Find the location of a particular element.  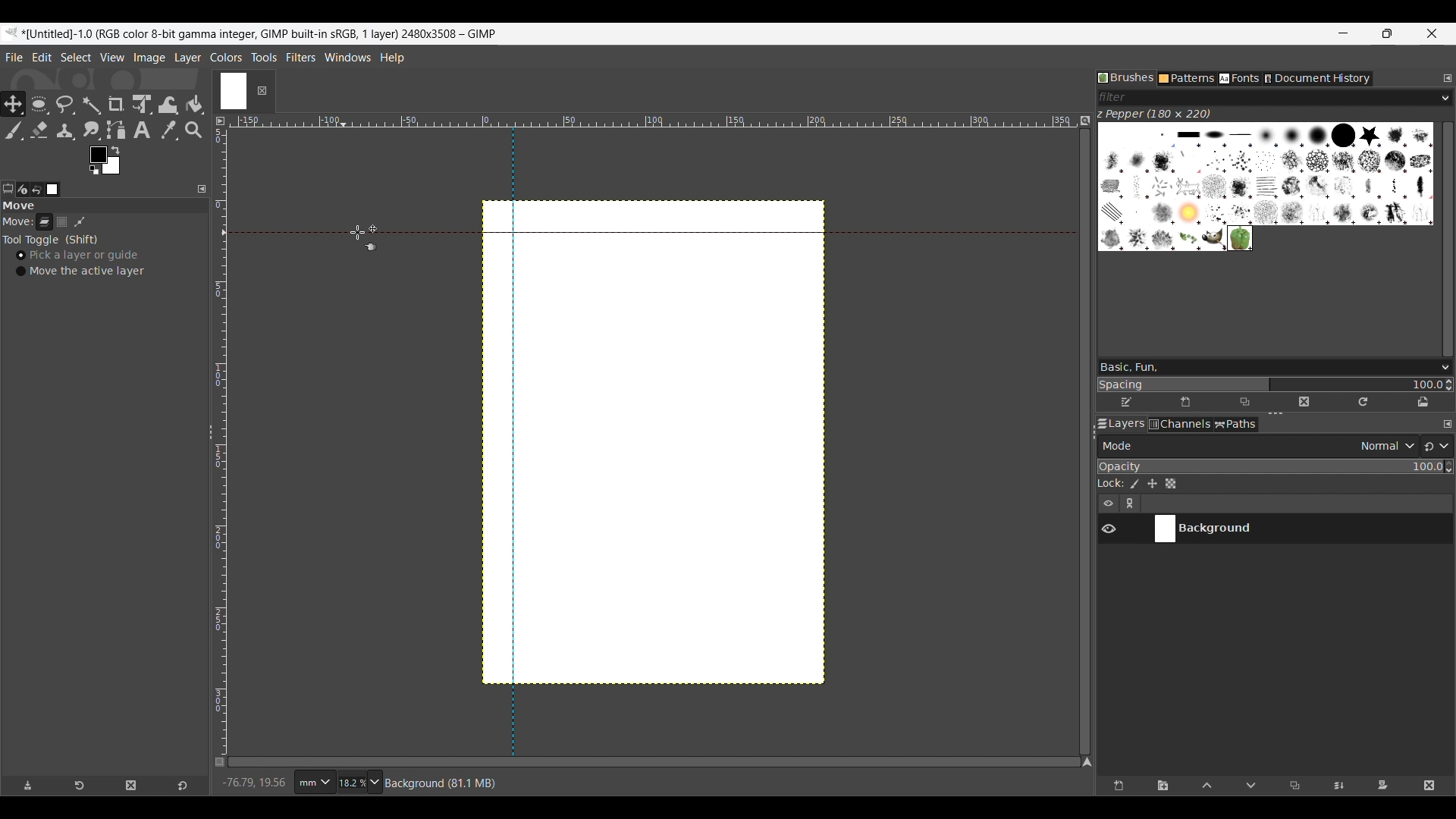

Foreground color is located at coordinates (104, 160).